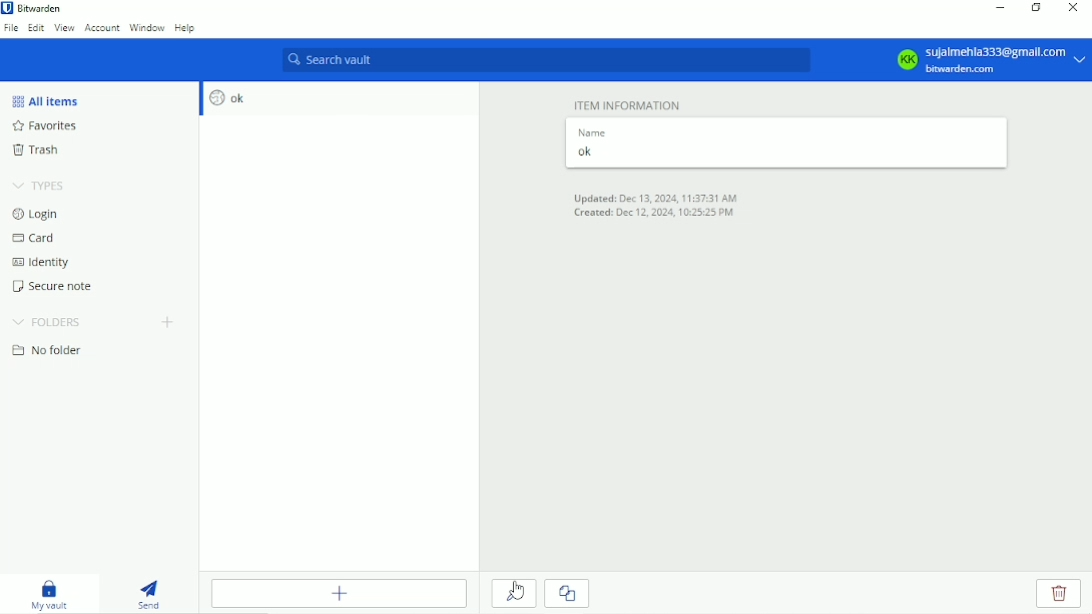  Describe the element at coordinates (169, 323) in the screenshot. I see `Create folder` at that location.